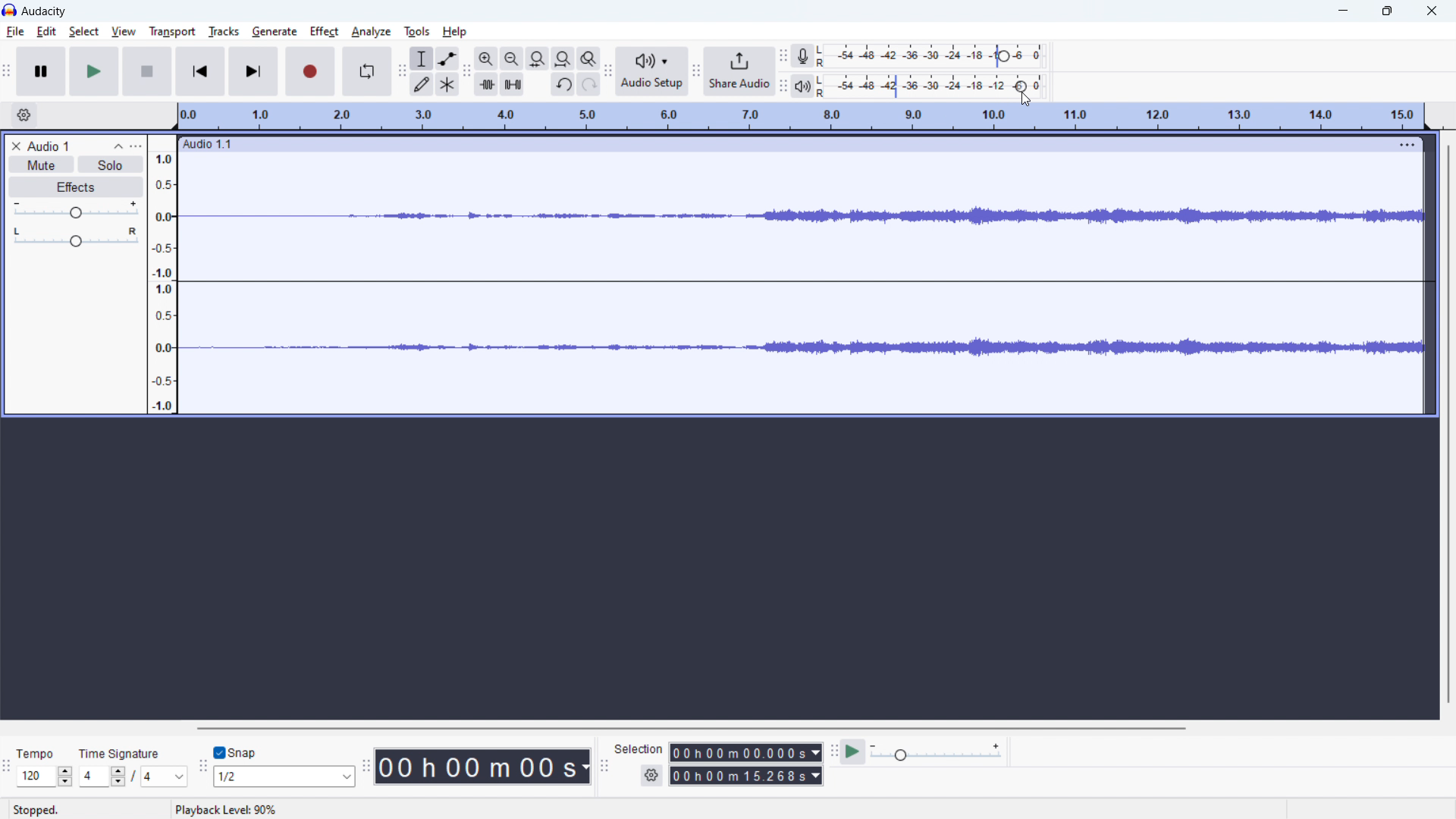 The height and width of the screenshot is (819, 1456). I want to click on amplitude, so click(162, 275).